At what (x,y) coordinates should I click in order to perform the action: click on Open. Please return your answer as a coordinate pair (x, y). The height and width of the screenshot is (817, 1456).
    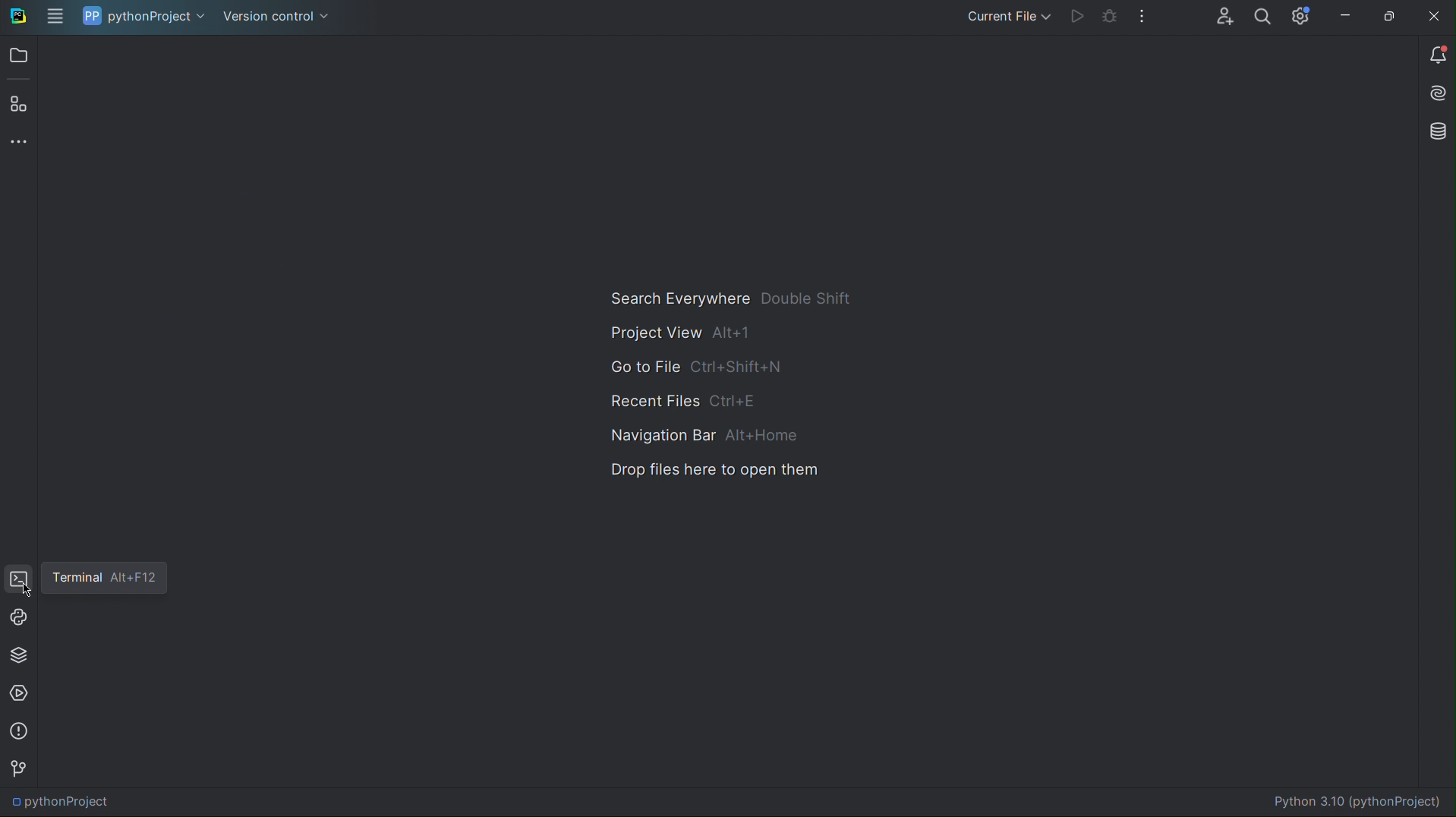
    Looking at the image, I should click on (17, 55).